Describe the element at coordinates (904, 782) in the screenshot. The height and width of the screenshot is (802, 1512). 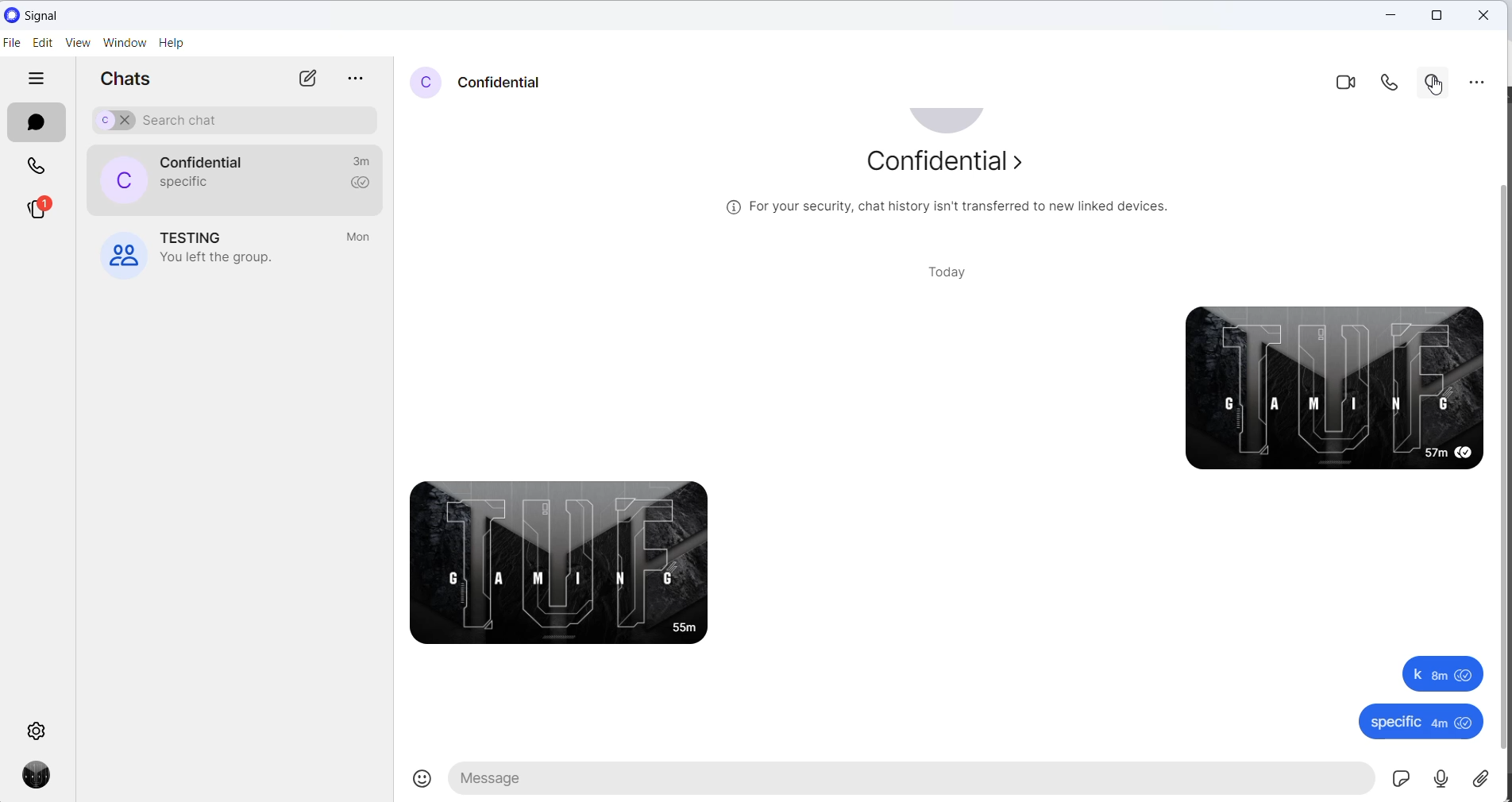
I see `message text area` at that location.